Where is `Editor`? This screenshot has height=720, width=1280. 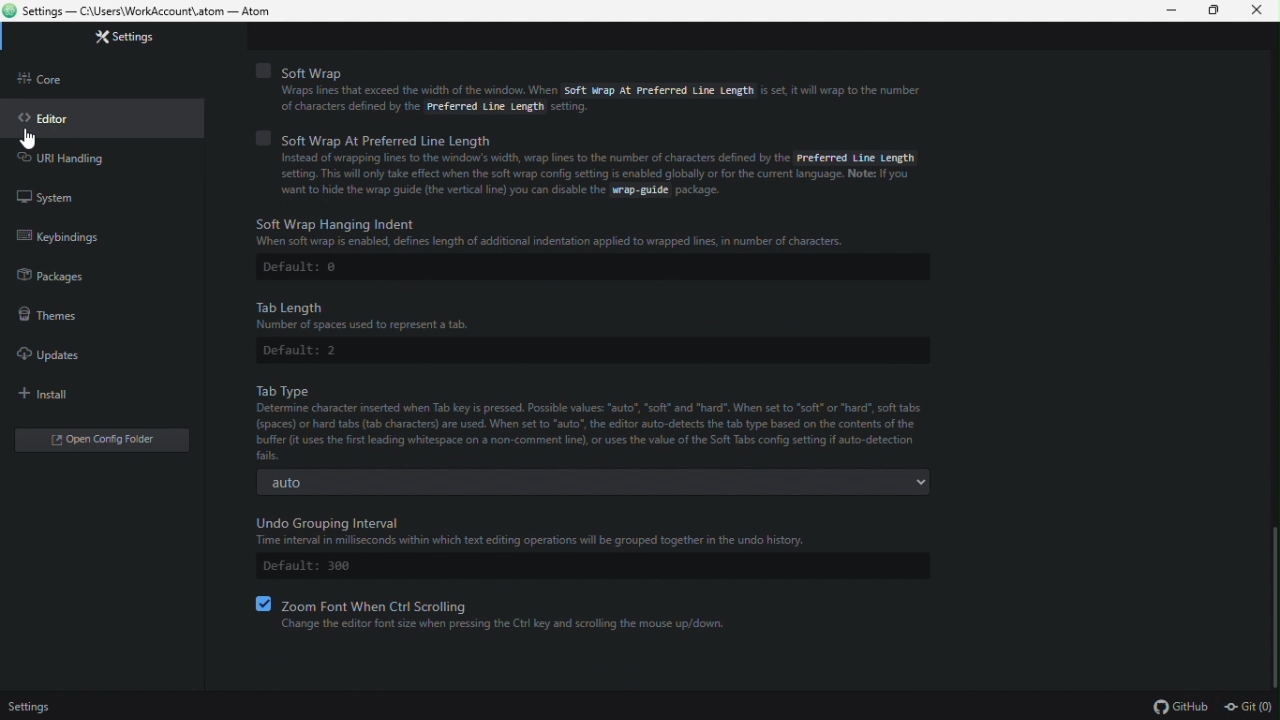 Editor is located at coordinates (50, 119).